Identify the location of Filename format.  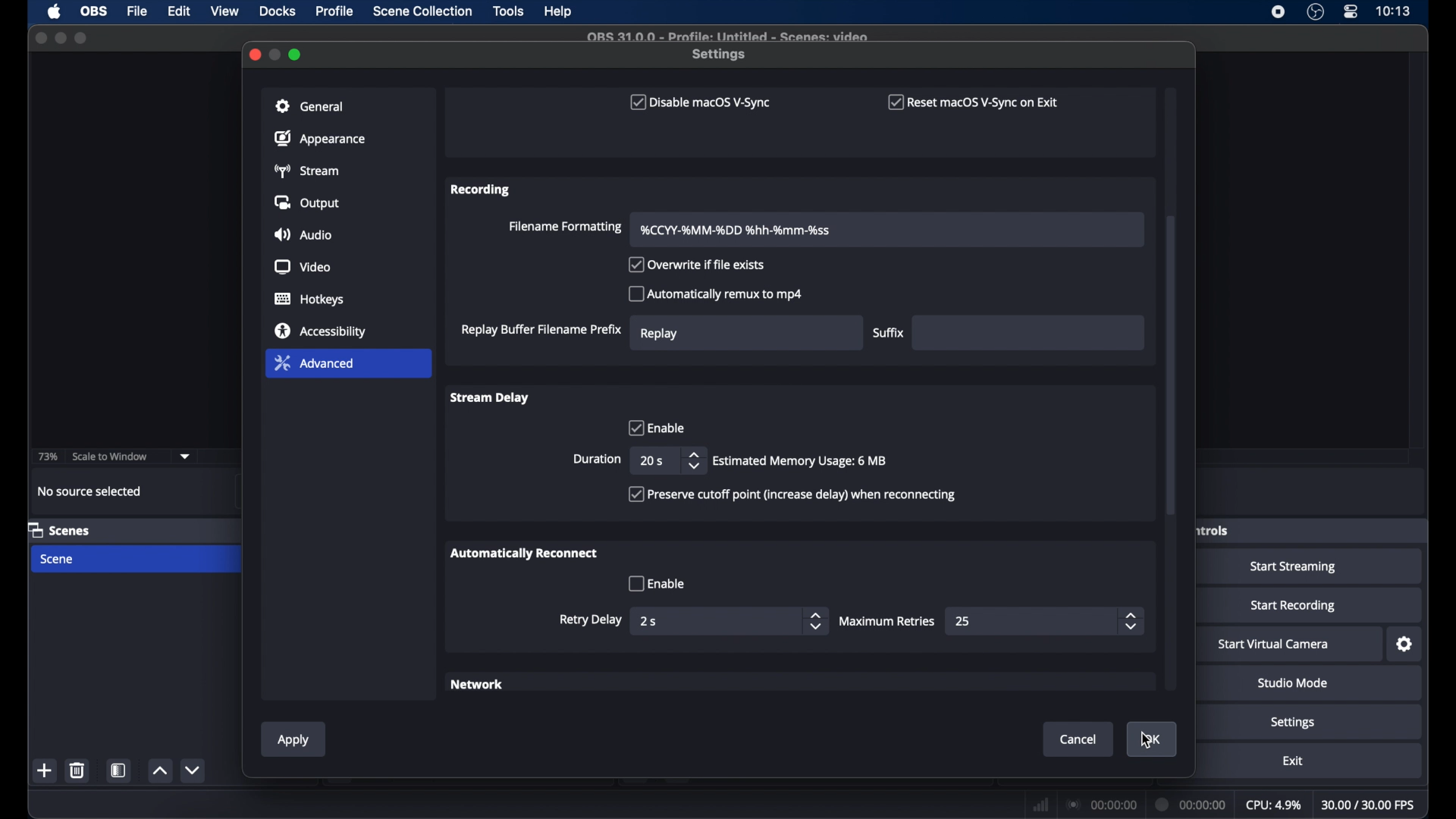
(737, 230).